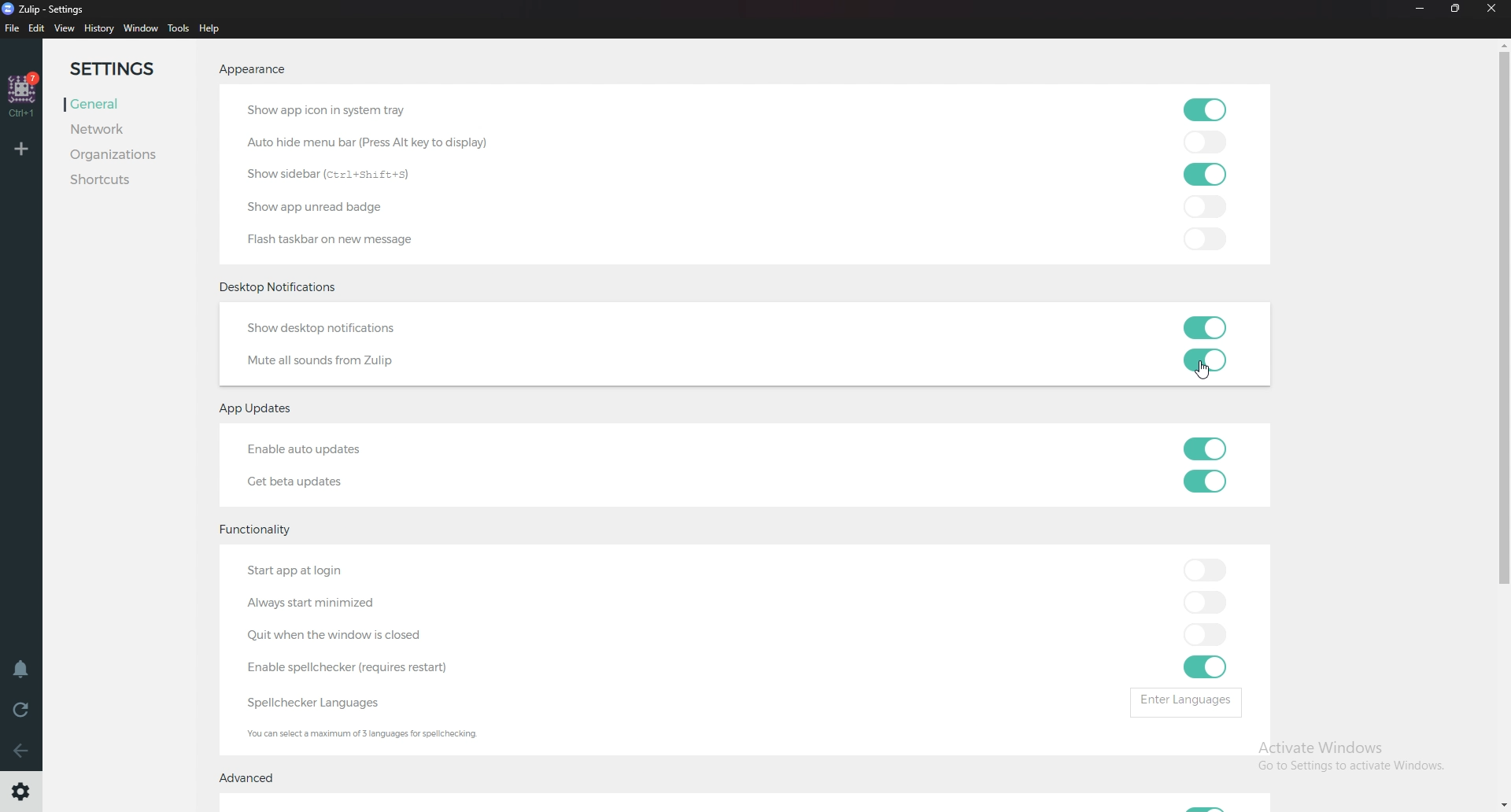 The width and height of the screenshot is (1511, 812). What do you see at coordinates (130, 155) in the screenshot?
I see `Organizations` at bounding box center [130, 155].